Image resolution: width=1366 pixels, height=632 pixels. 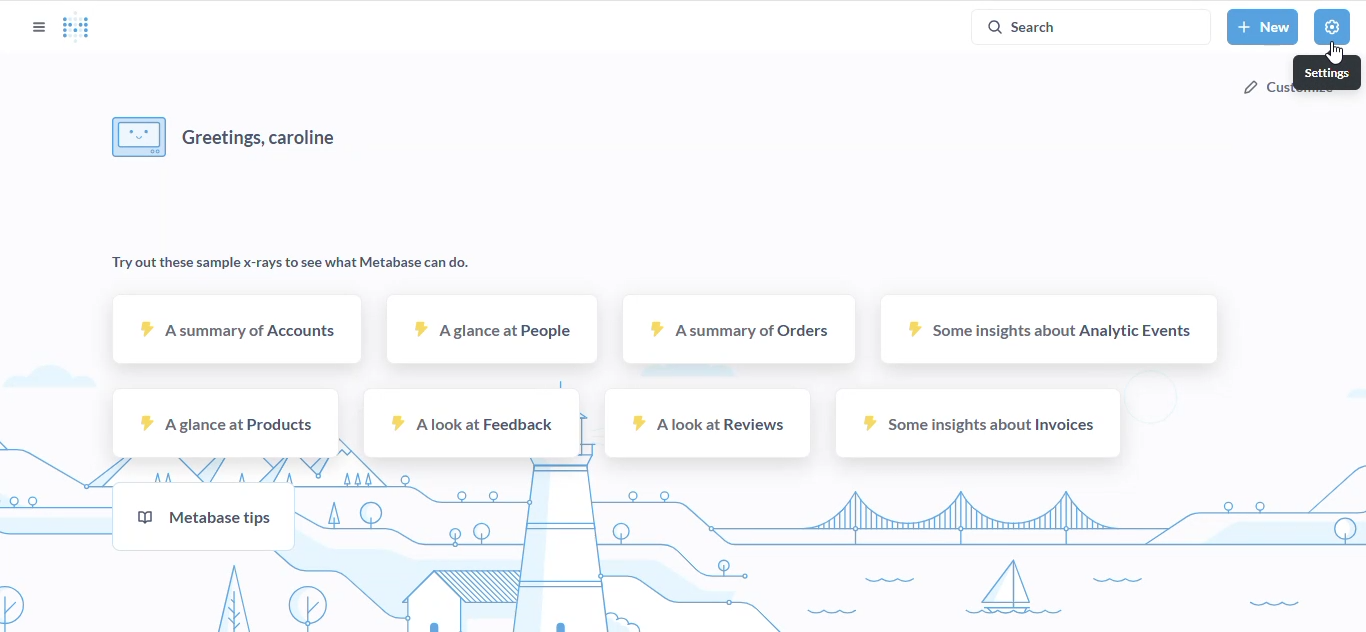 What do you see at coordinates (1333, 26) in the screenshot?
I see `settings` at bounding box center [1333, 26].